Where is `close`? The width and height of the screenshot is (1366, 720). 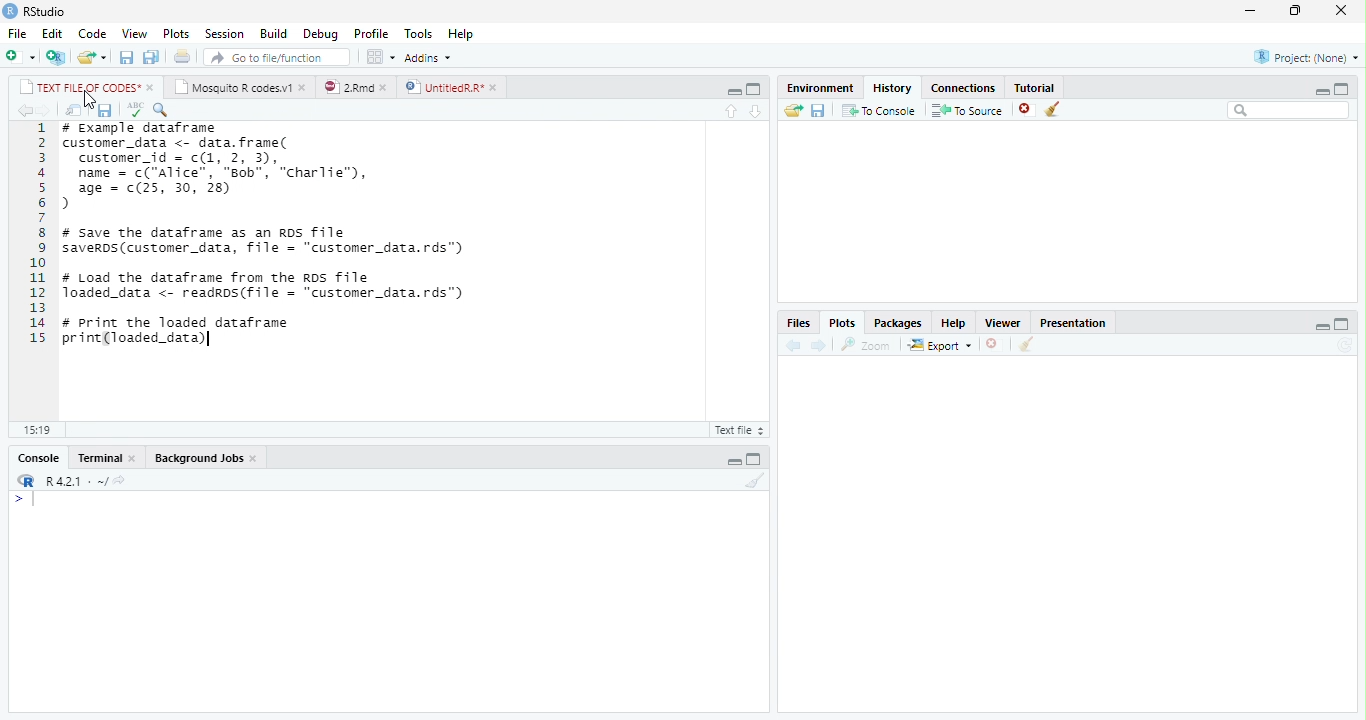
close is located at coordinates (134, 459).